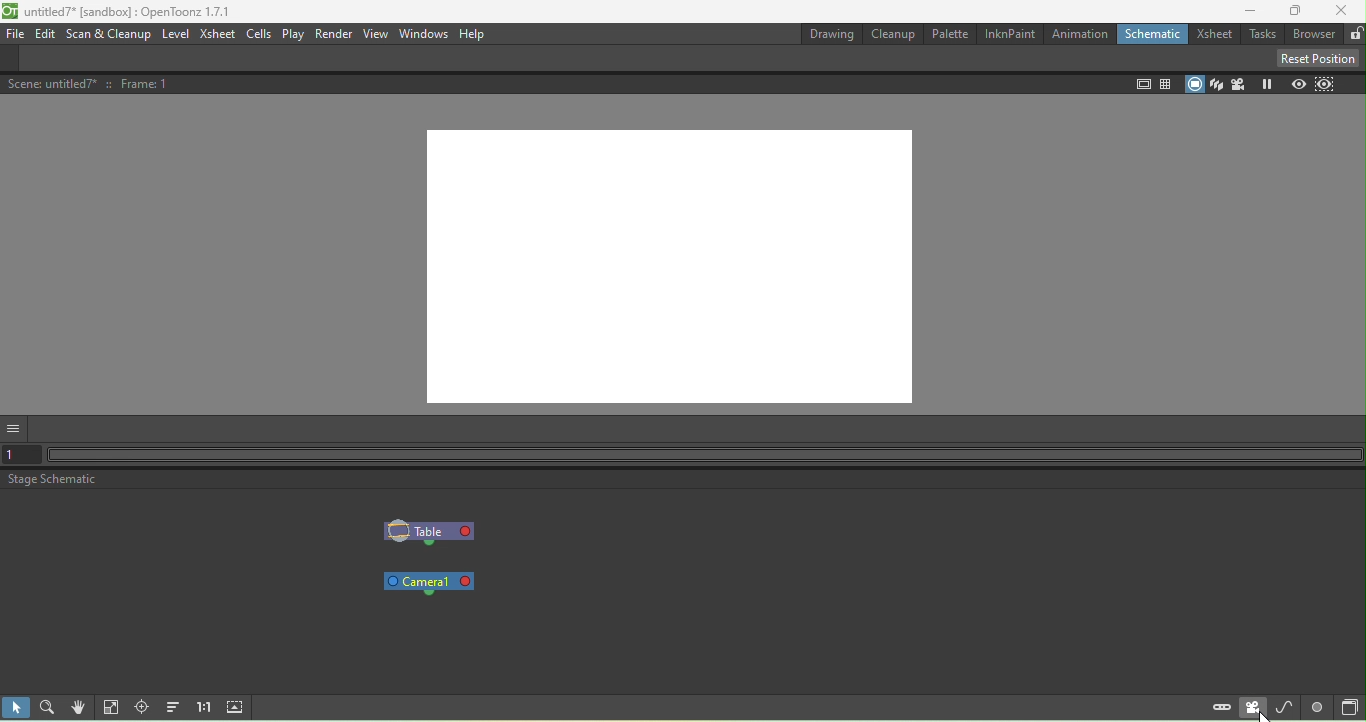 Image resolution: width=1366 pixels, height=722 pixels. Describe the element at coordinates (1080, 35) in the screenshot. I see `Animation` at that location.